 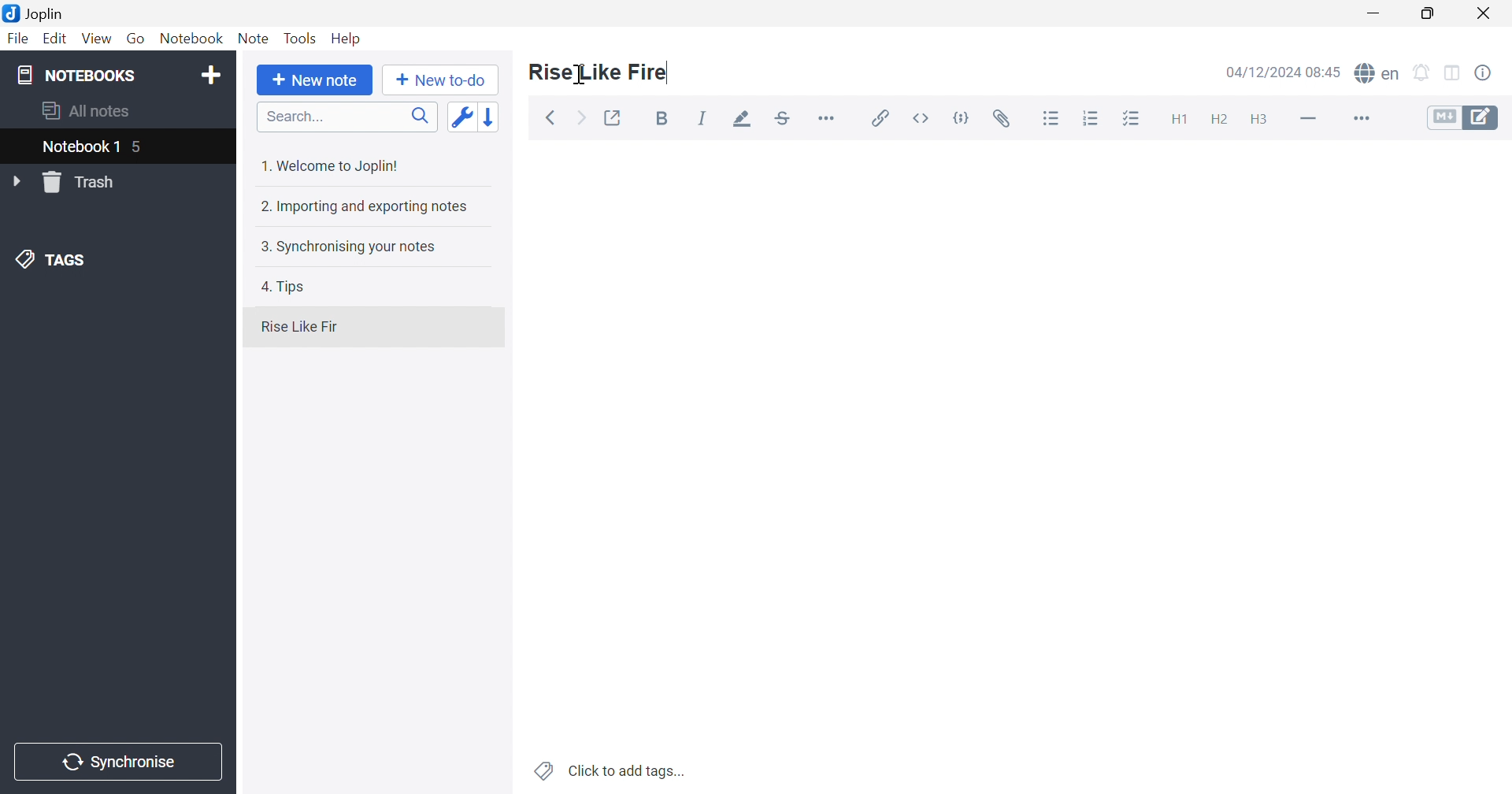 What do you see at coordinates (550, 118) in the screenshot?
I see `Back` at bounding box center [550, 118].